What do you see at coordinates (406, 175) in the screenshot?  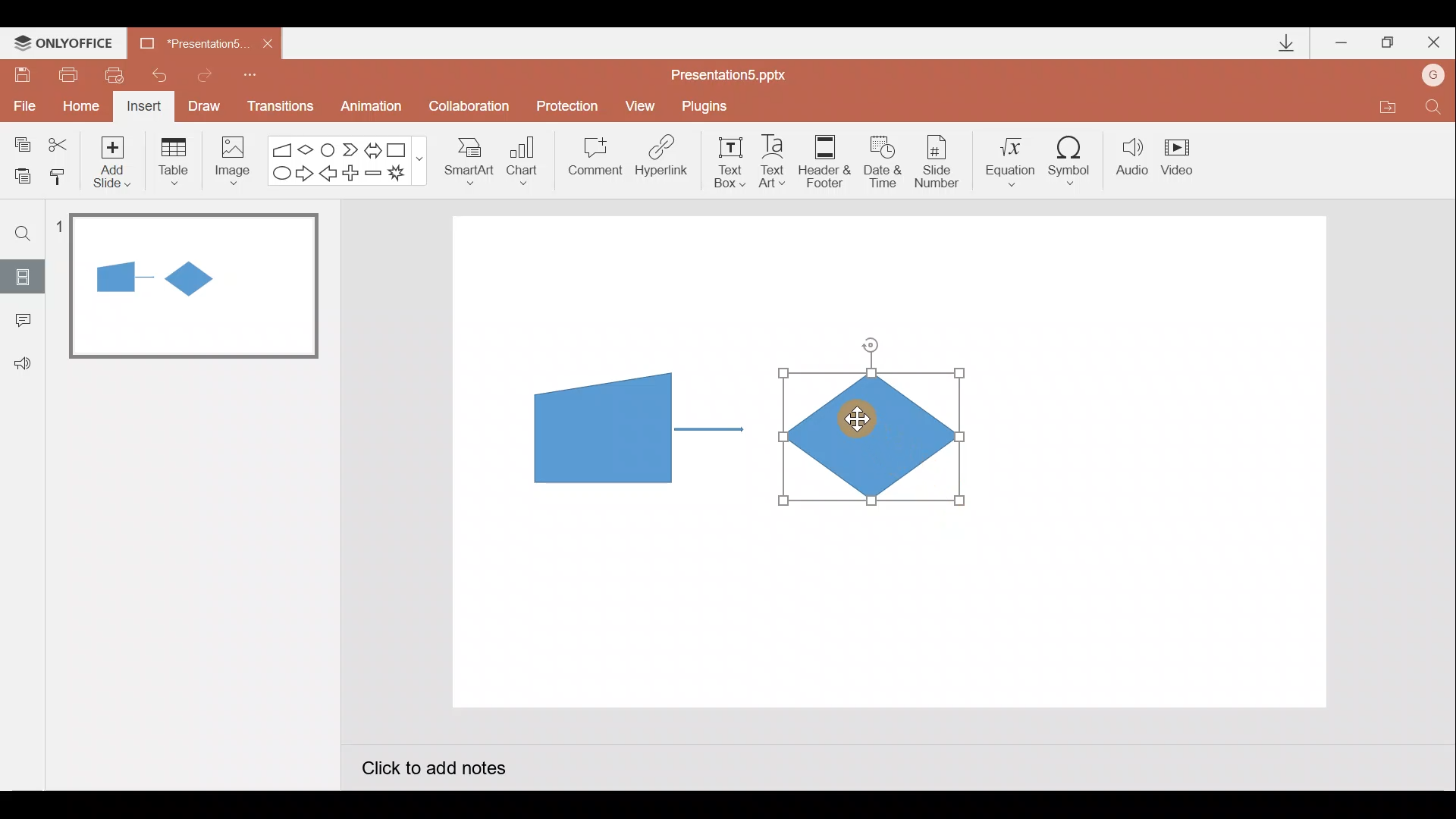 I see `Explosion 1` at bounding box center [406, 175].